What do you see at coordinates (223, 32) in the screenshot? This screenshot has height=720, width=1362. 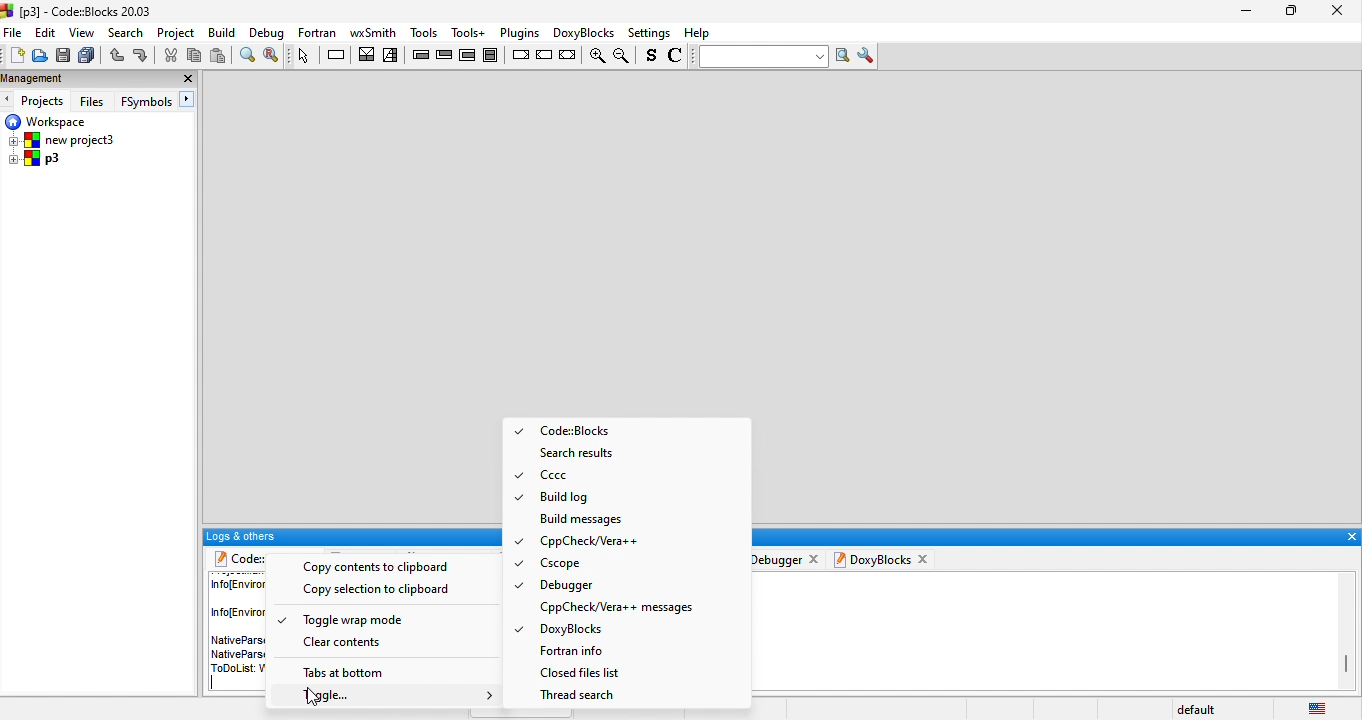 I see `build` at bounding box center [223, 32].